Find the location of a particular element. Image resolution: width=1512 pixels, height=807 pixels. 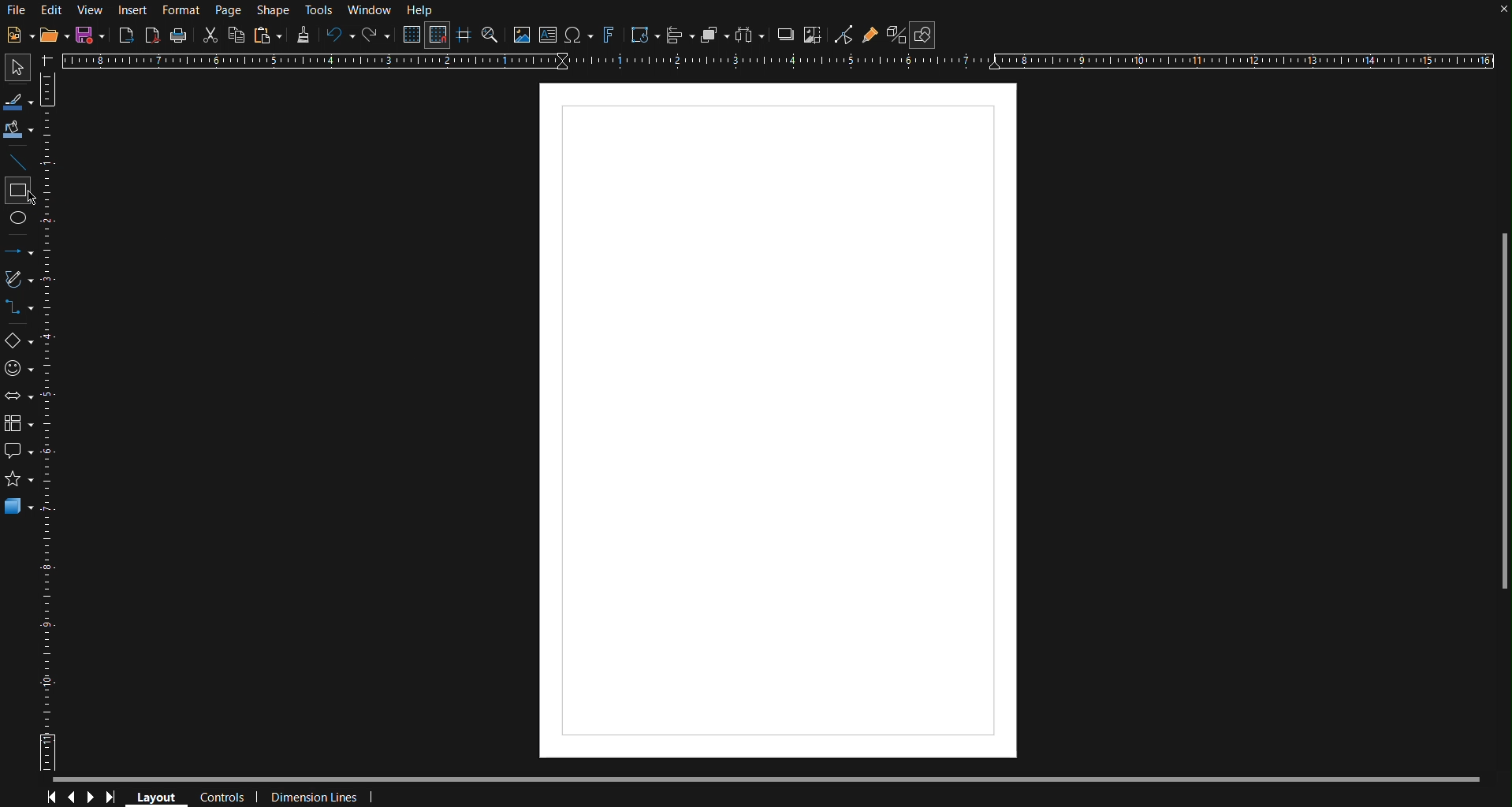

Zoom and Pan is located at coordinates (490, 34).